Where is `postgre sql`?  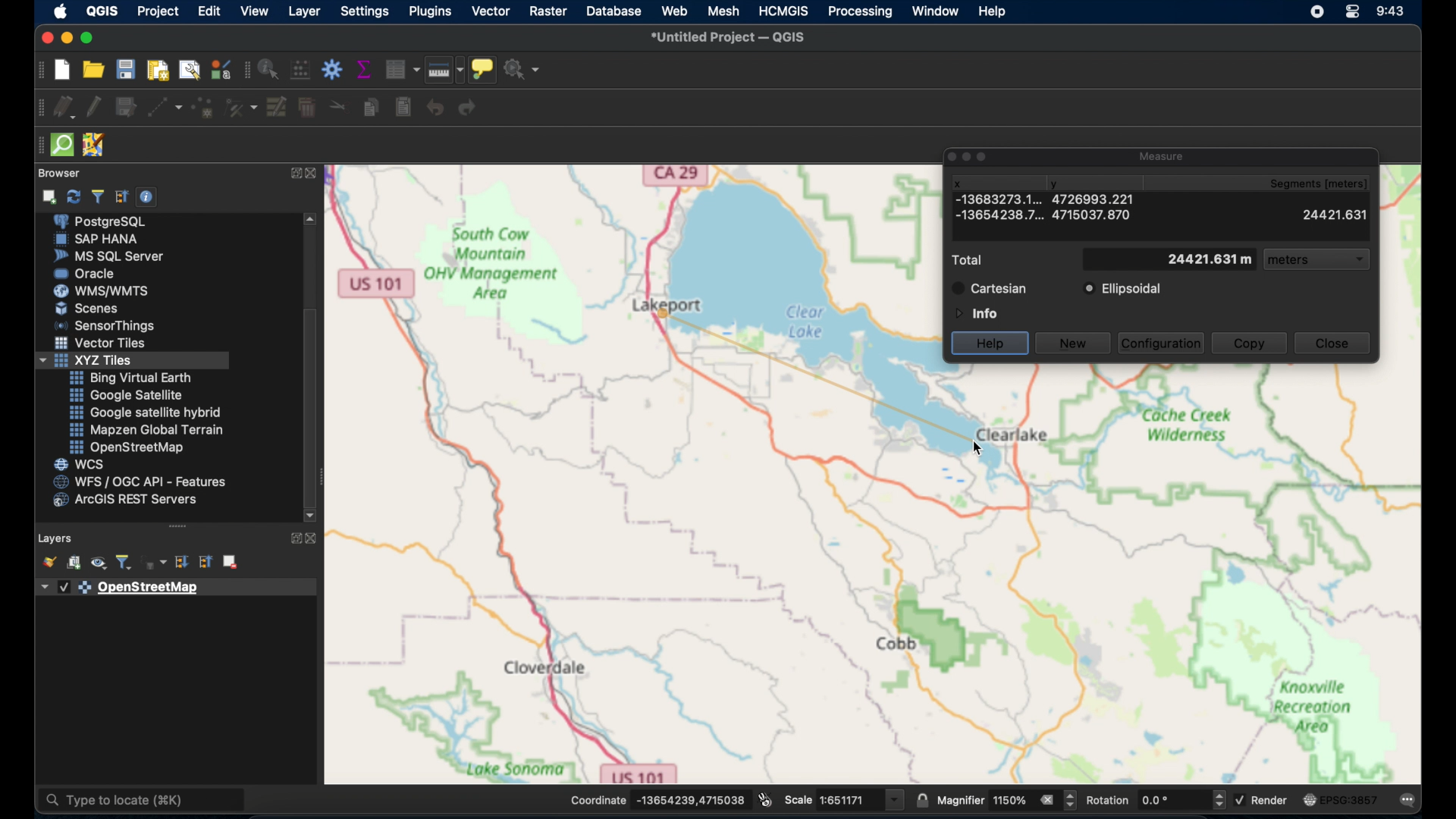
postgre sql is located at coordinates (110, 222).